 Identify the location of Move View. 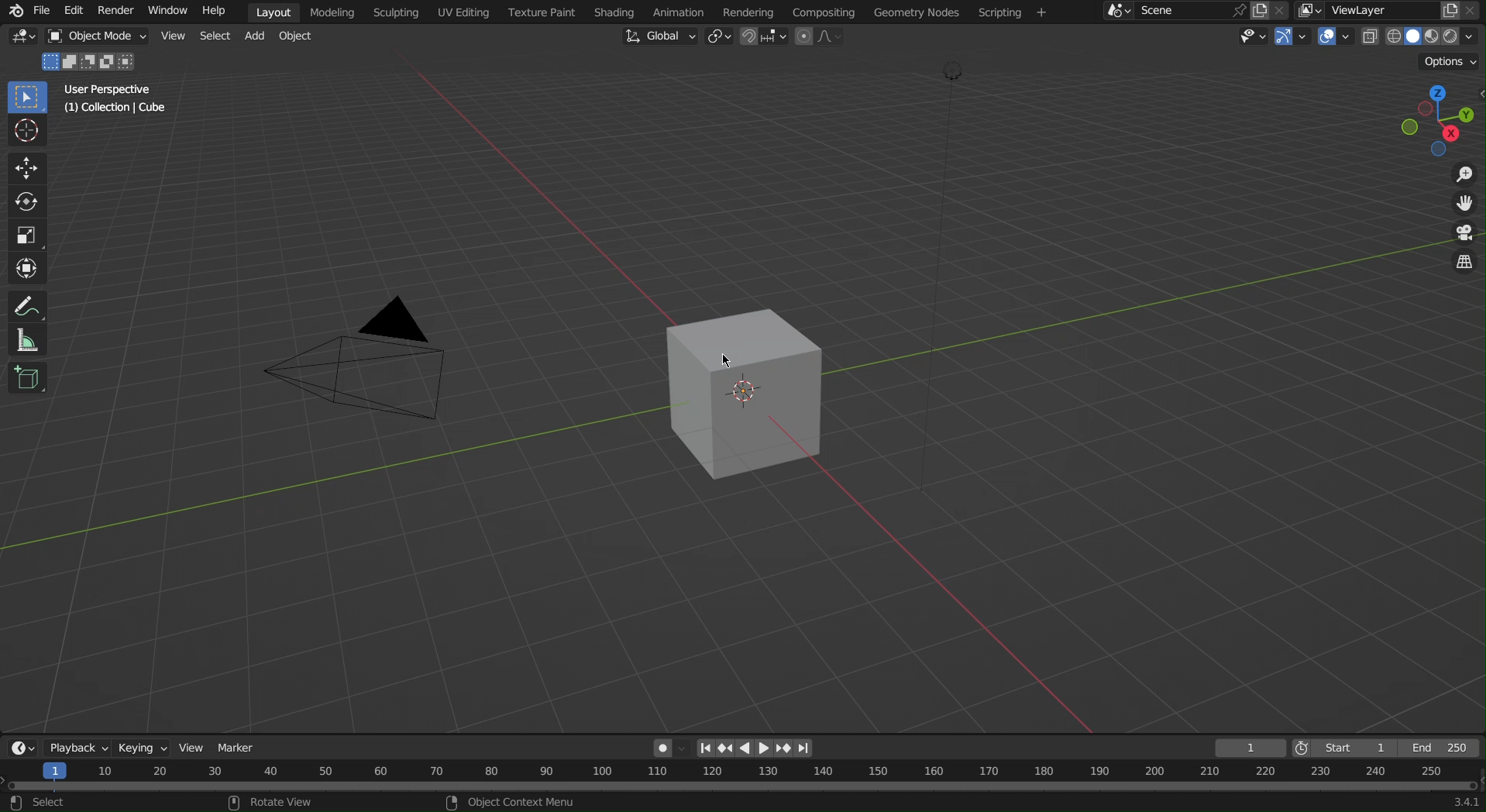
(1464, 205).